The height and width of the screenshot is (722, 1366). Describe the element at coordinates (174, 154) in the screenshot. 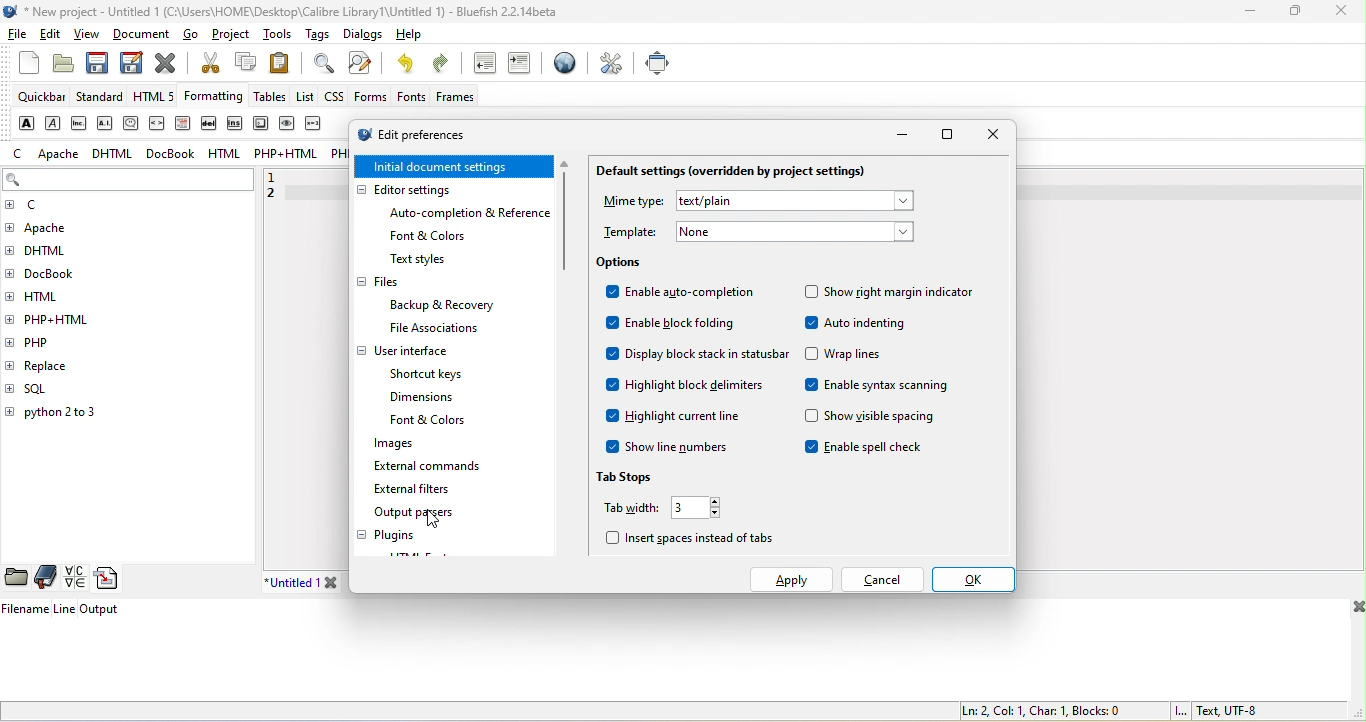

I see `docbook` at that location.